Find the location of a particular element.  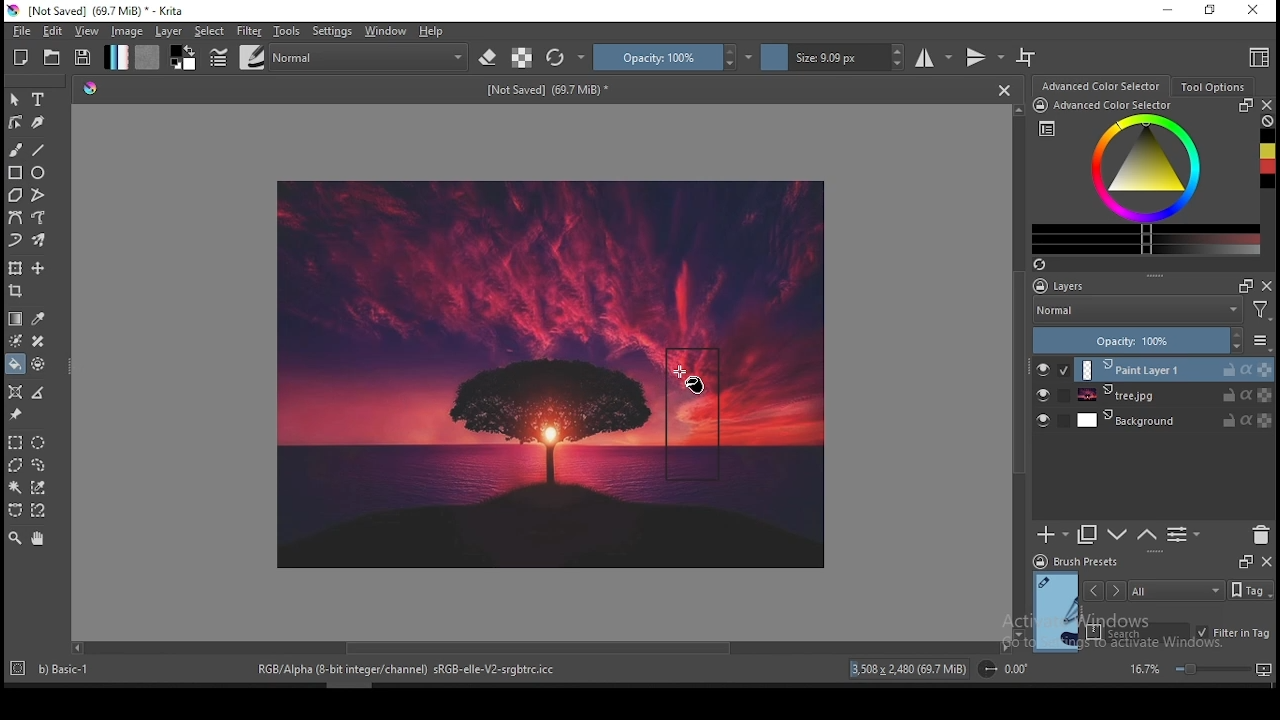

image is located at coordinates (129, 32).